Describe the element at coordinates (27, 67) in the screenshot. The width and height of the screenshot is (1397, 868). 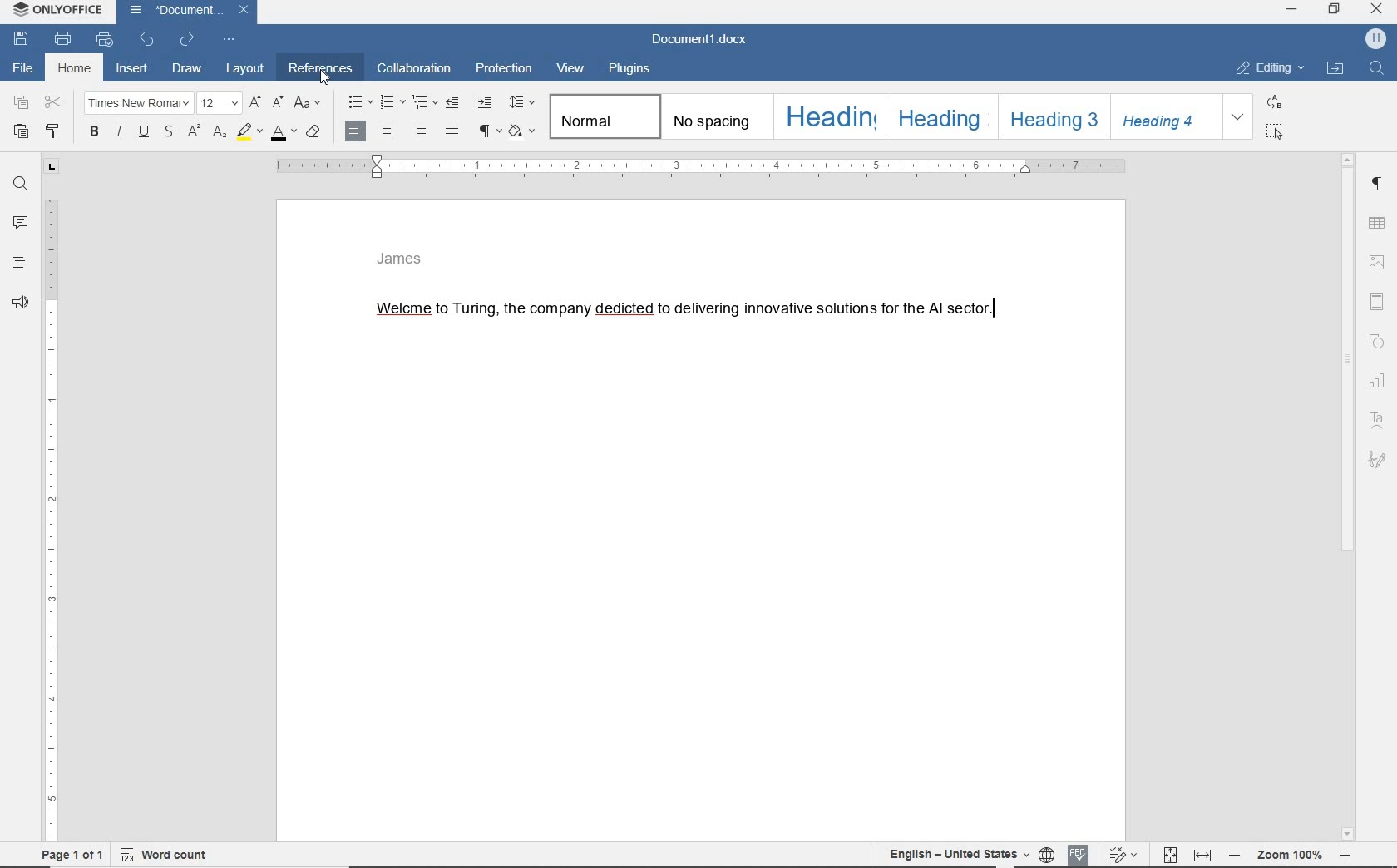
I see `file` at that location.